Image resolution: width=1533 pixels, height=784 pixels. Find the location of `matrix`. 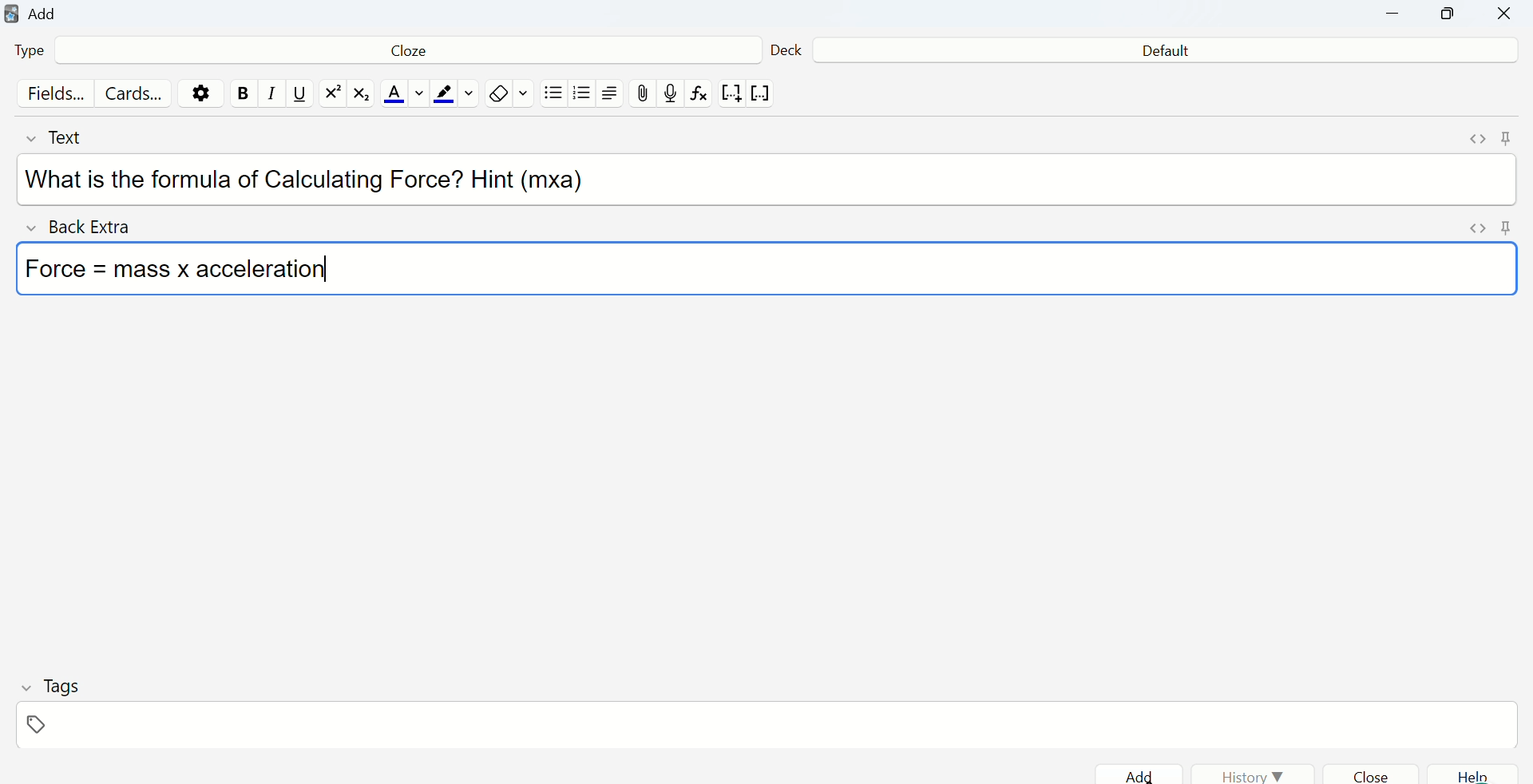

matrix is located at coordinates (362, 96).